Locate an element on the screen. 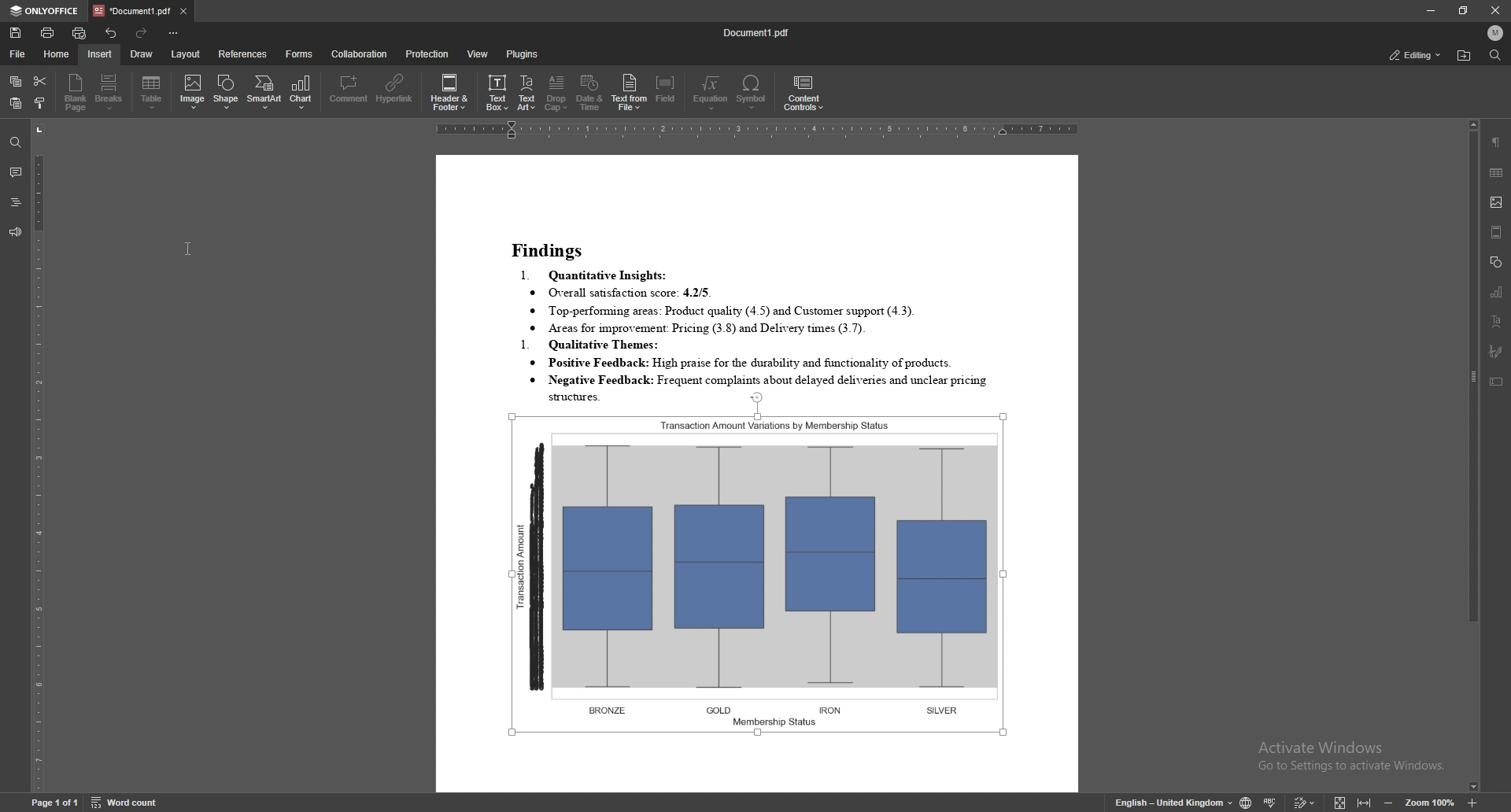 The image size is (1511, 812). text art is located at coordinates (527, 94).